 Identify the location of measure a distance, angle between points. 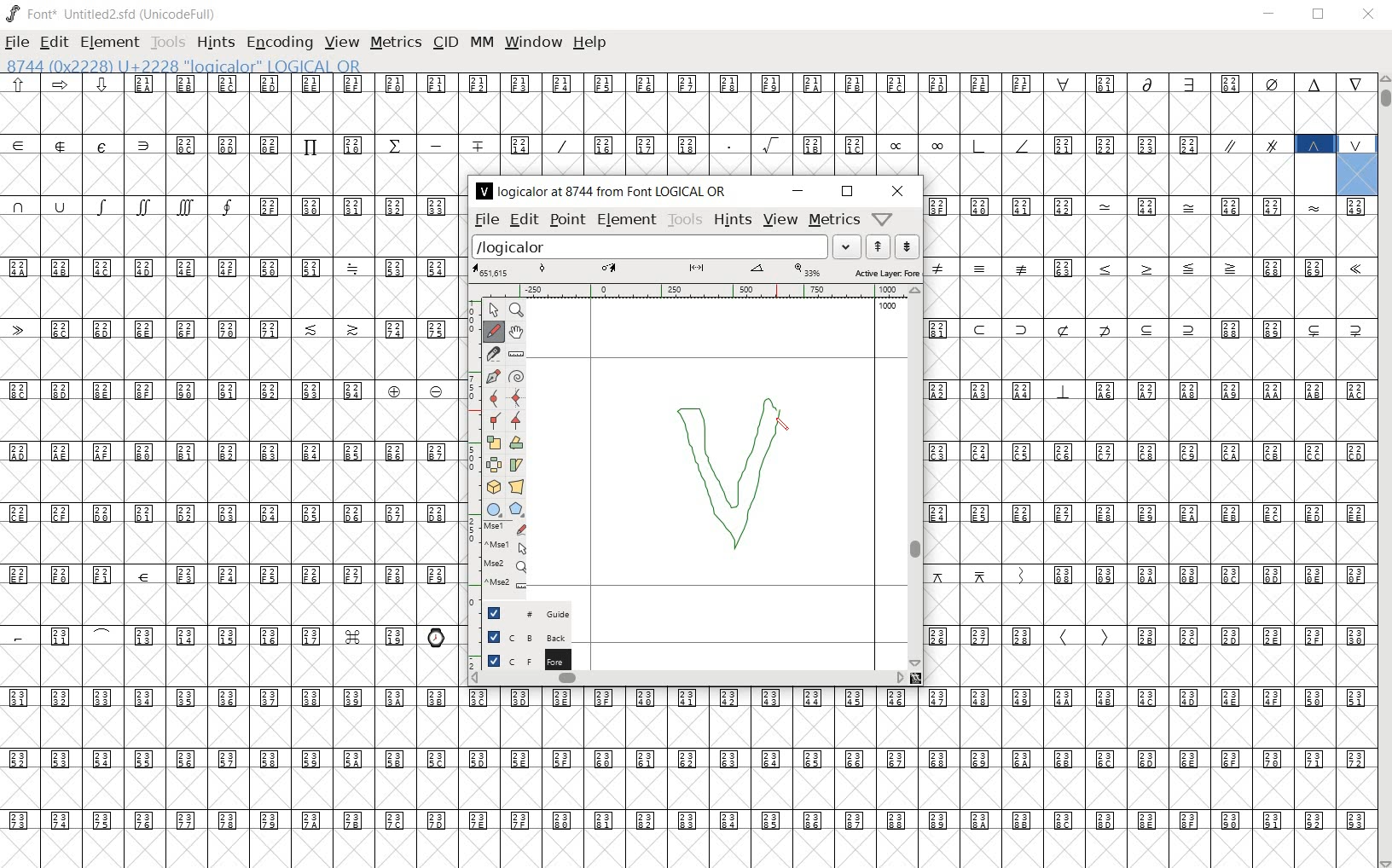
(516, 354).